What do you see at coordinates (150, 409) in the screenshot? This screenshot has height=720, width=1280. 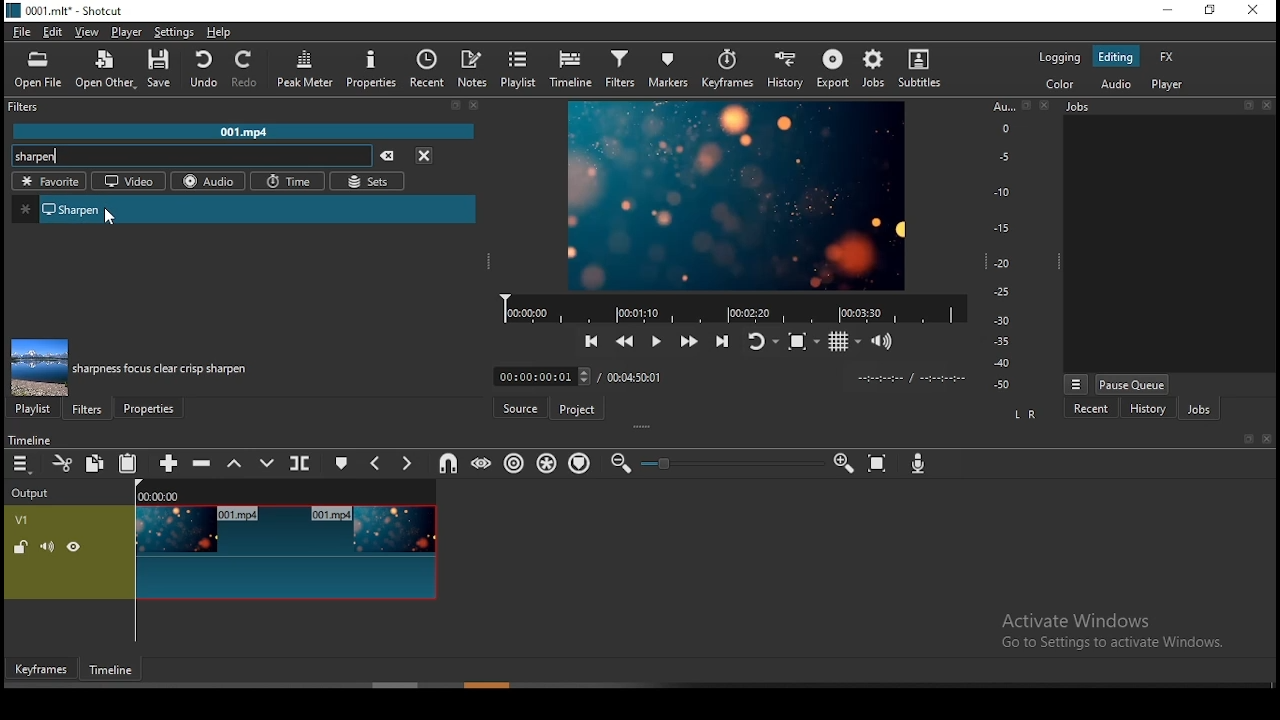 I see `properties` at bounding box center [150, 409].